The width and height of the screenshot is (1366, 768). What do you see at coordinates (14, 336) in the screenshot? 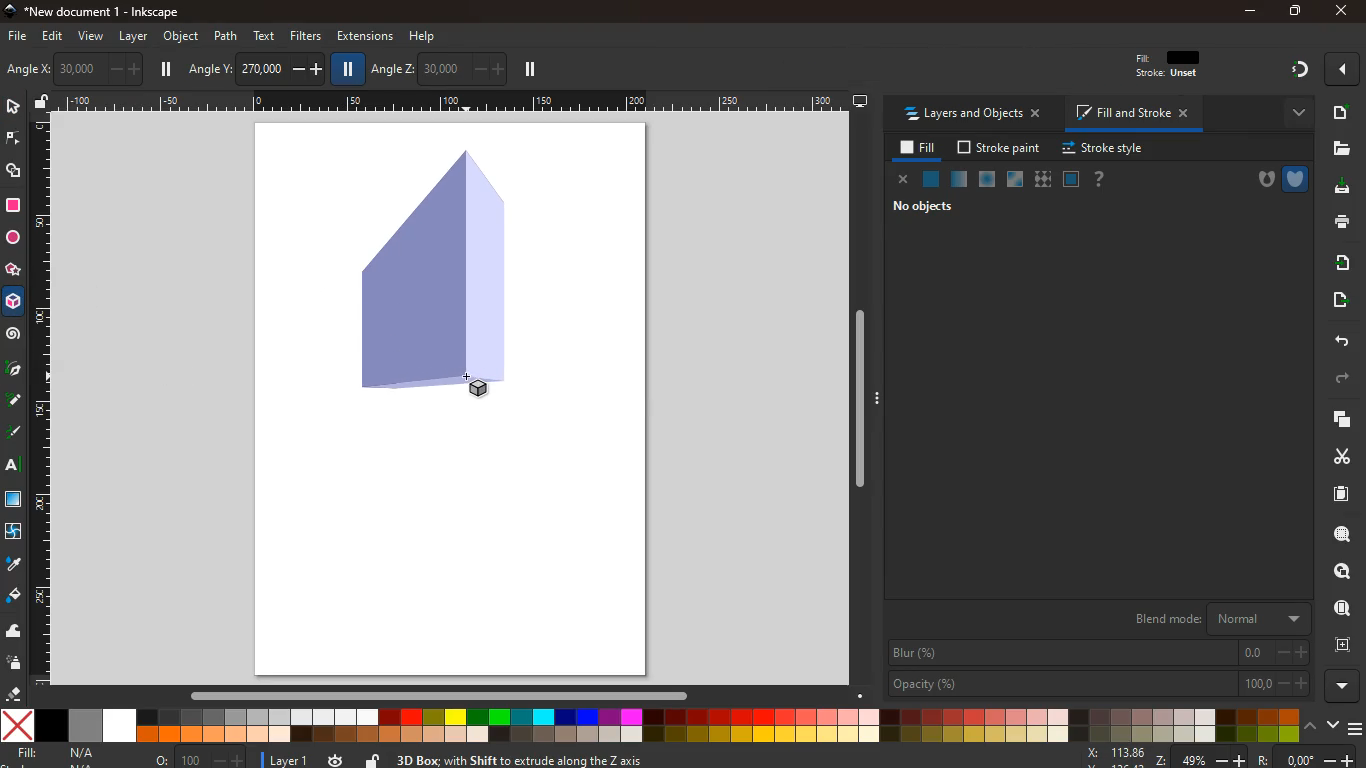
I see `spiral` at bounding box center [14, 336].